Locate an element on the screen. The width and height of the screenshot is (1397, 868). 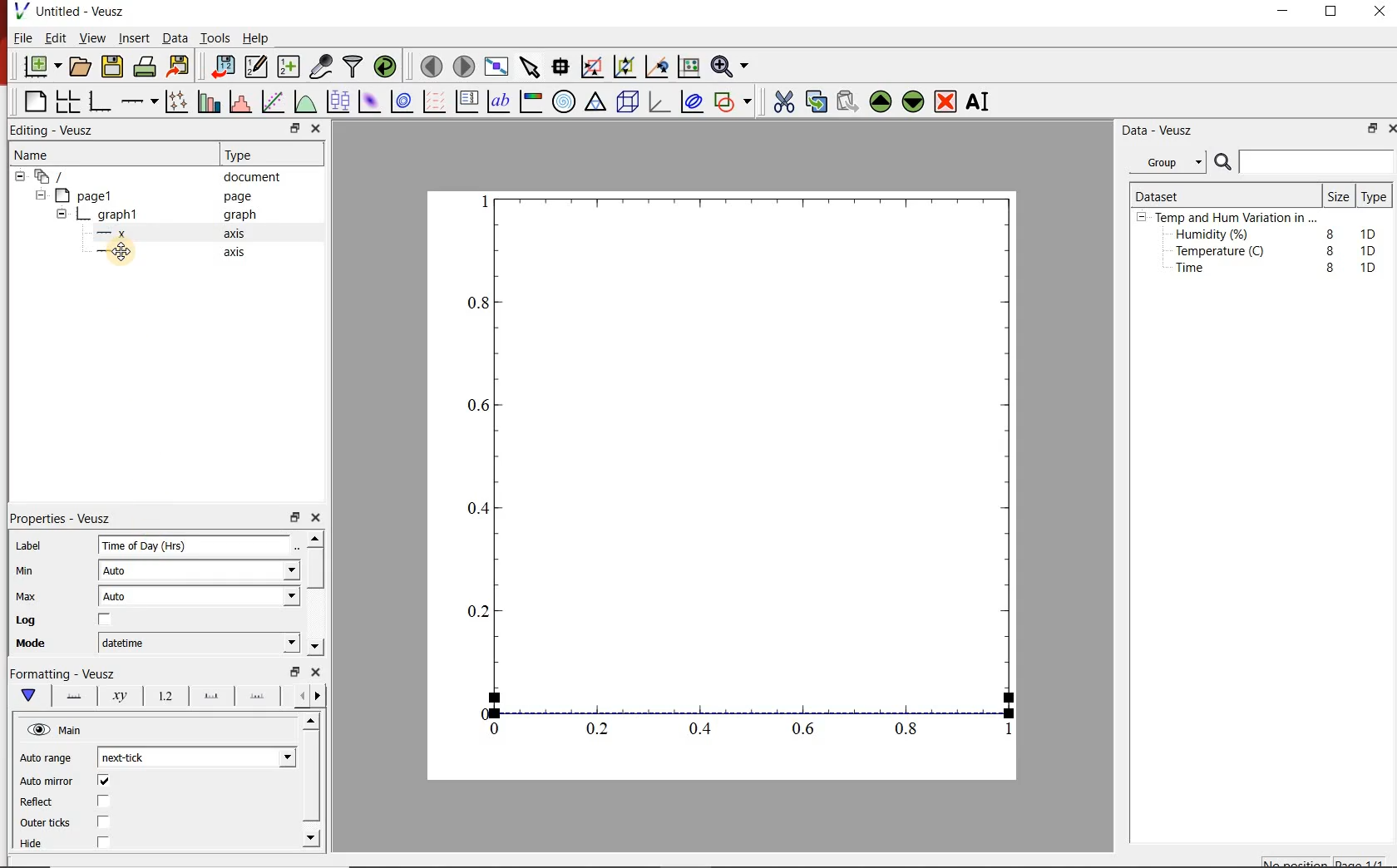
View is located at coordinates (92, 38).